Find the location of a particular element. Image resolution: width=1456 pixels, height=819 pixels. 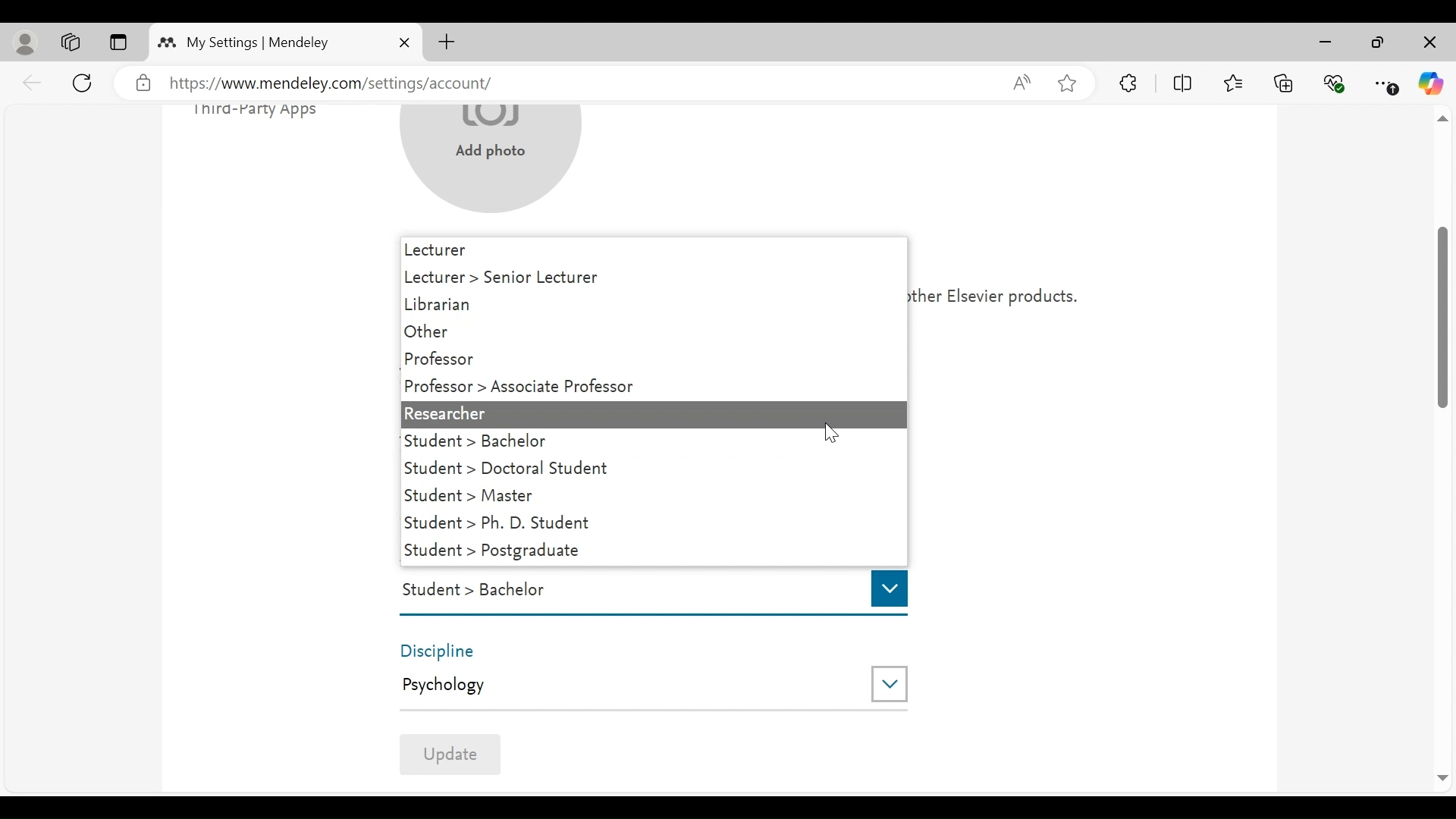

Discipline is located at coordinates (451, 651).